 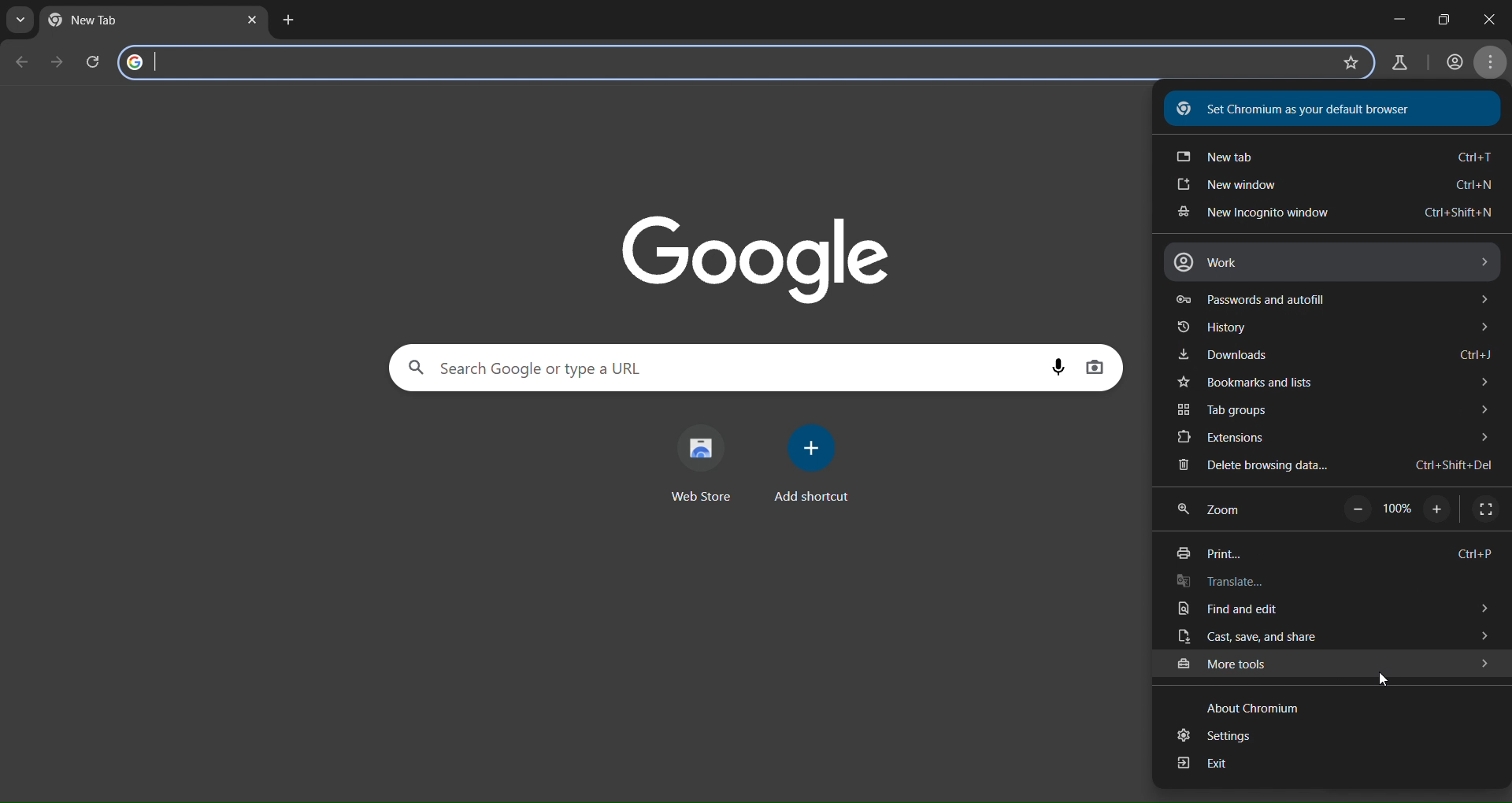 I want to click on search tab, so click(x=21, y=23).